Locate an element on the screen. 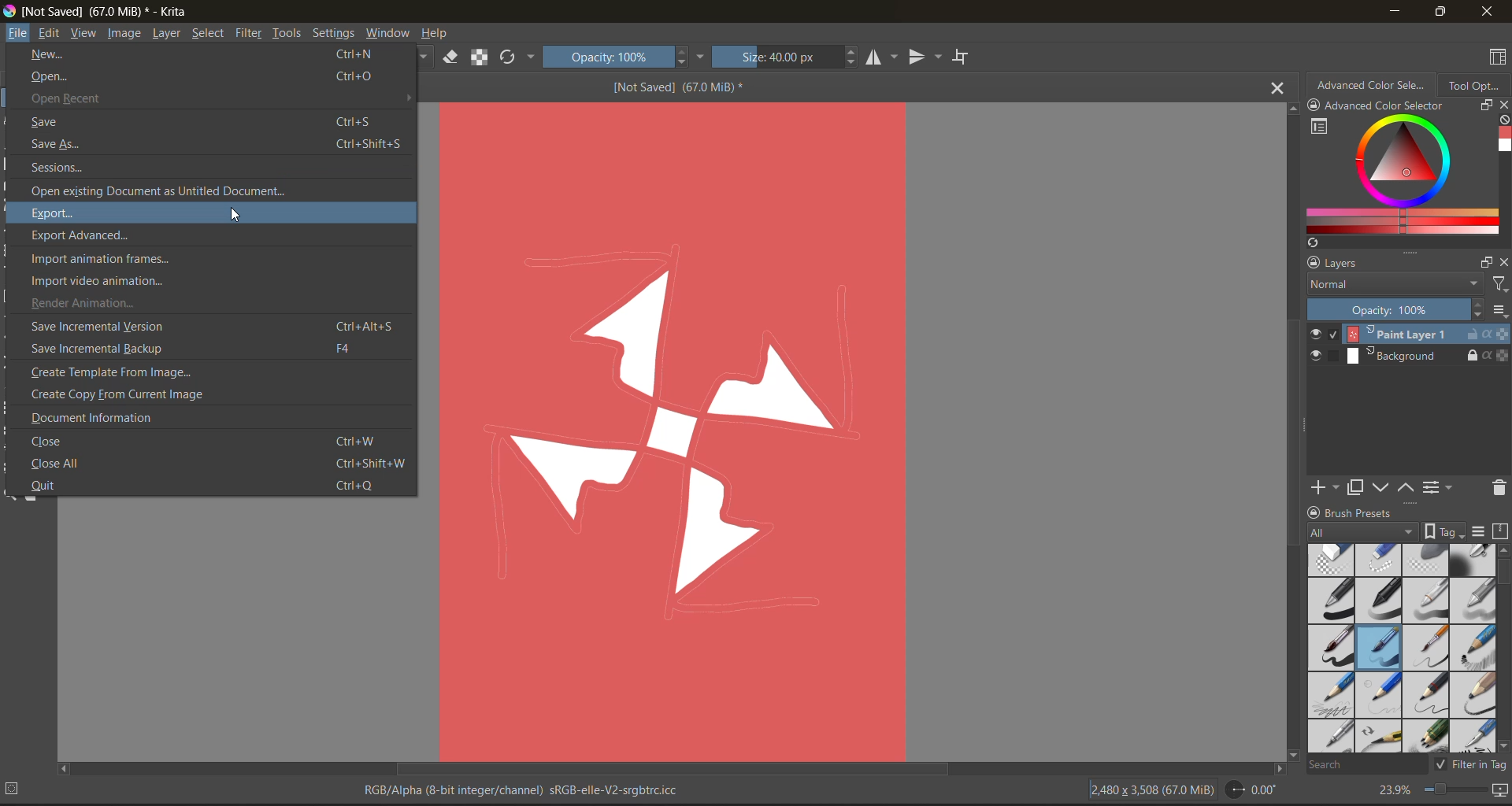 The image size is (1512, 806). view or change the layer properties is located at coordinates (1439, 486).